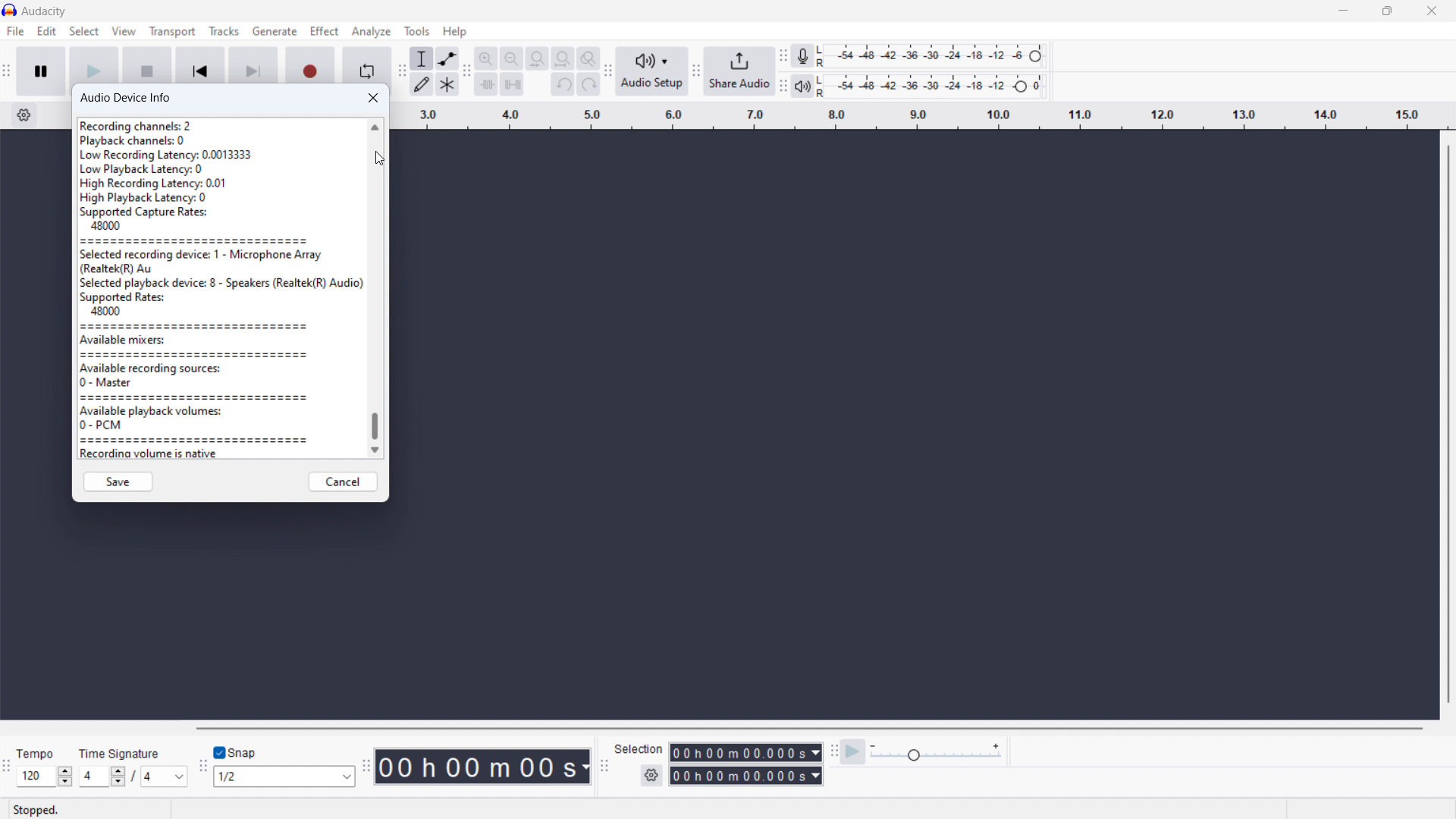 This screenshot has width=1456, height=819. What do you see at coordinates (801, 56) in the screenshot?
I see `recording meter` at bounding box center [801, 56].